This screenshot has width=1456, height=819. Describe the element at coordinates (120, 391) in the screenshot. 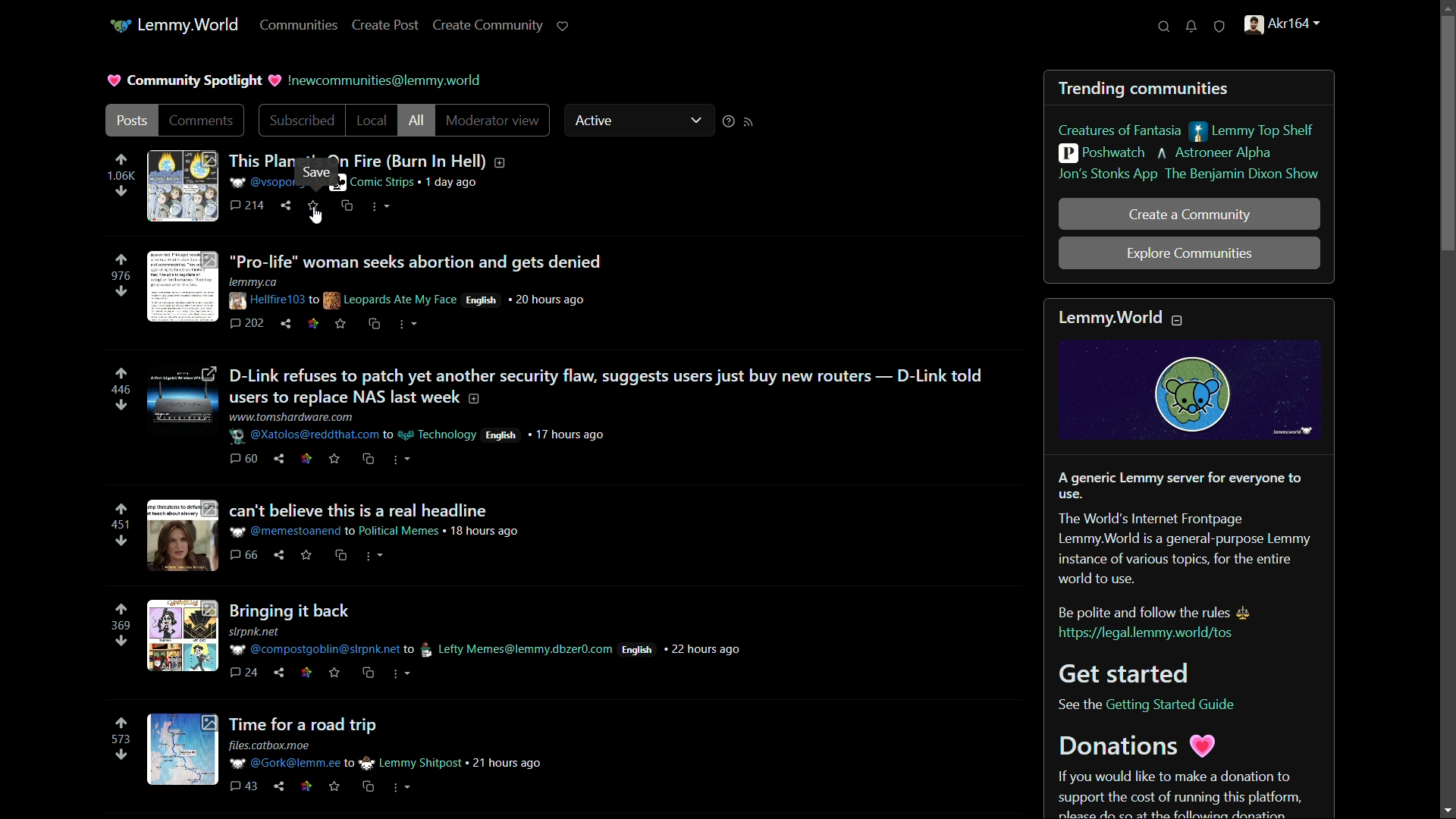

I see `number of votes` at that location.